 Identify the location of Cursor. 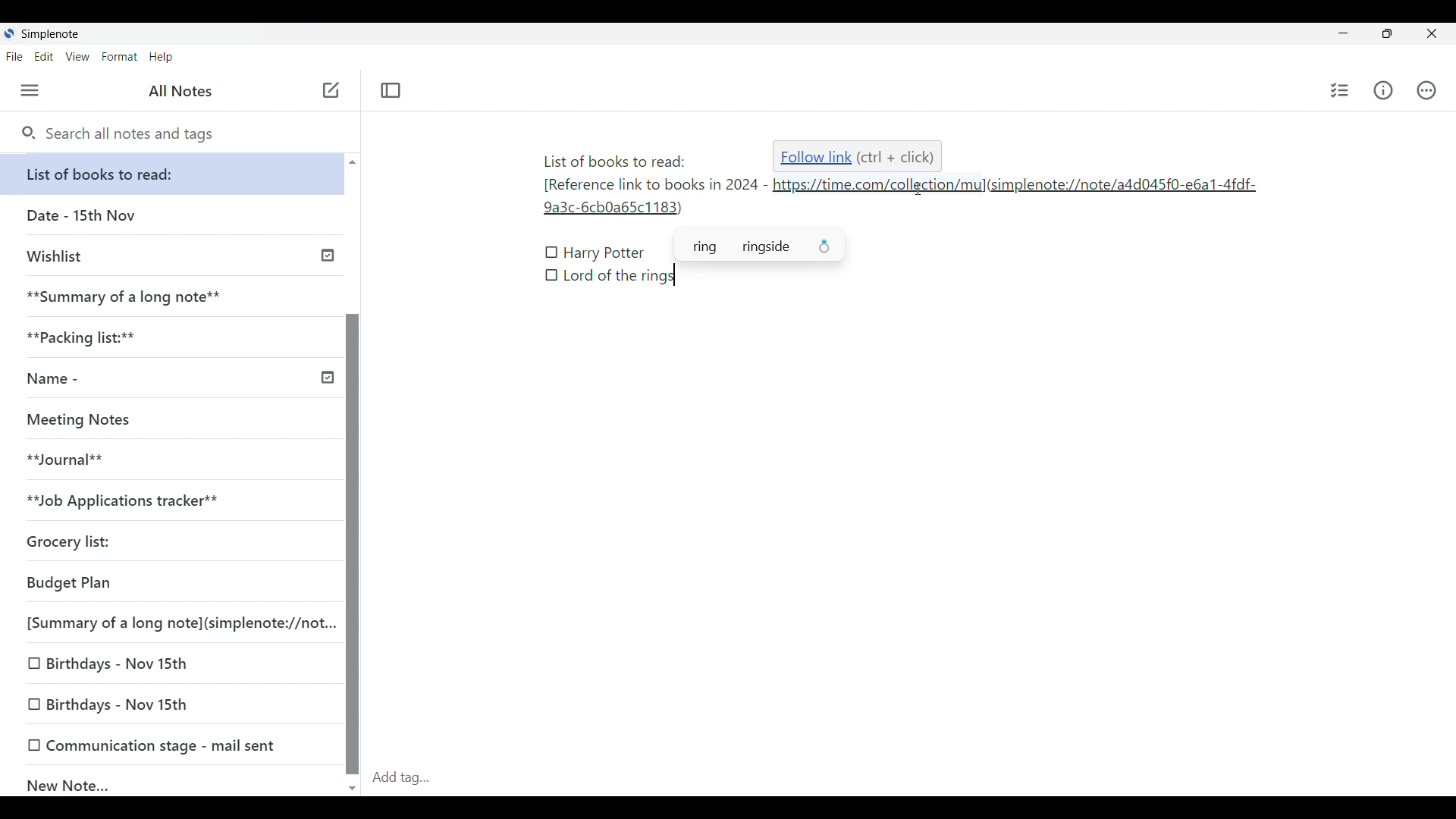
(915, 190).